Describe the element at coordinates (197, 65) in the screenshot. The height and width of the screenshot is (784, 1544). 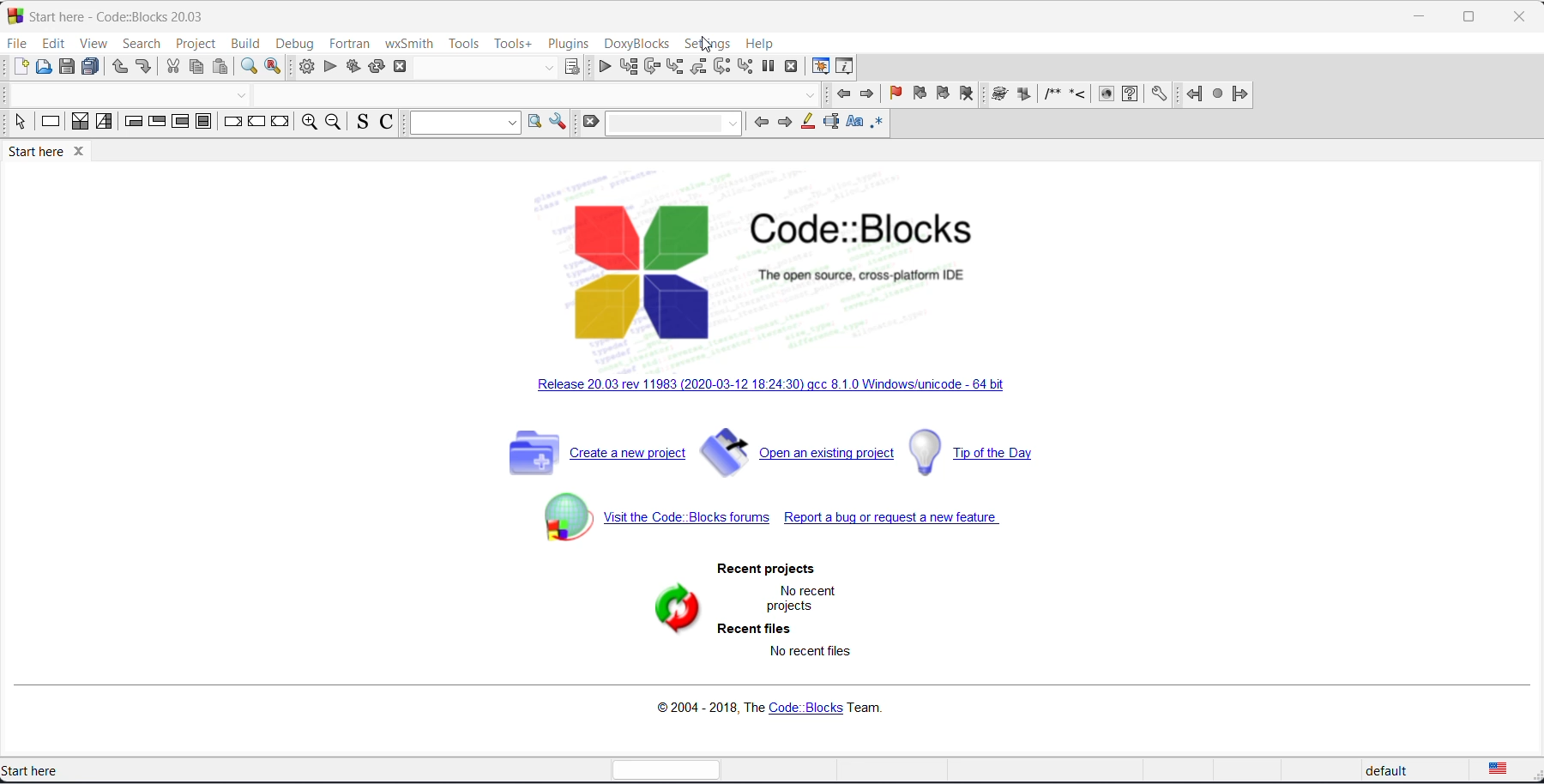
I see `copy` at that location.